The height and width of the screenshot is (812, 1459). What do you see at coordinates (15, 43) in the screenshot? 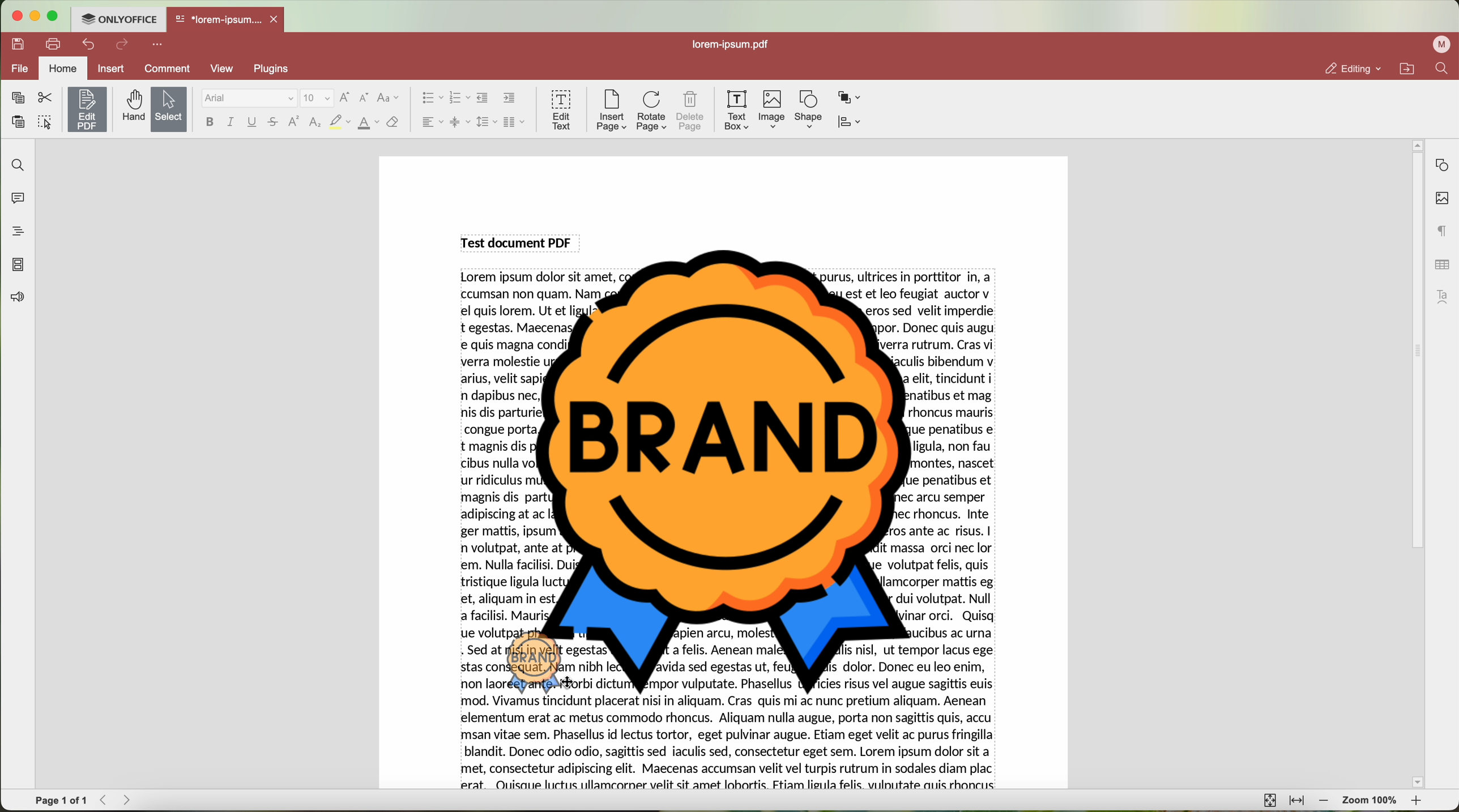
I see `save` at bounding box center [15, 43].